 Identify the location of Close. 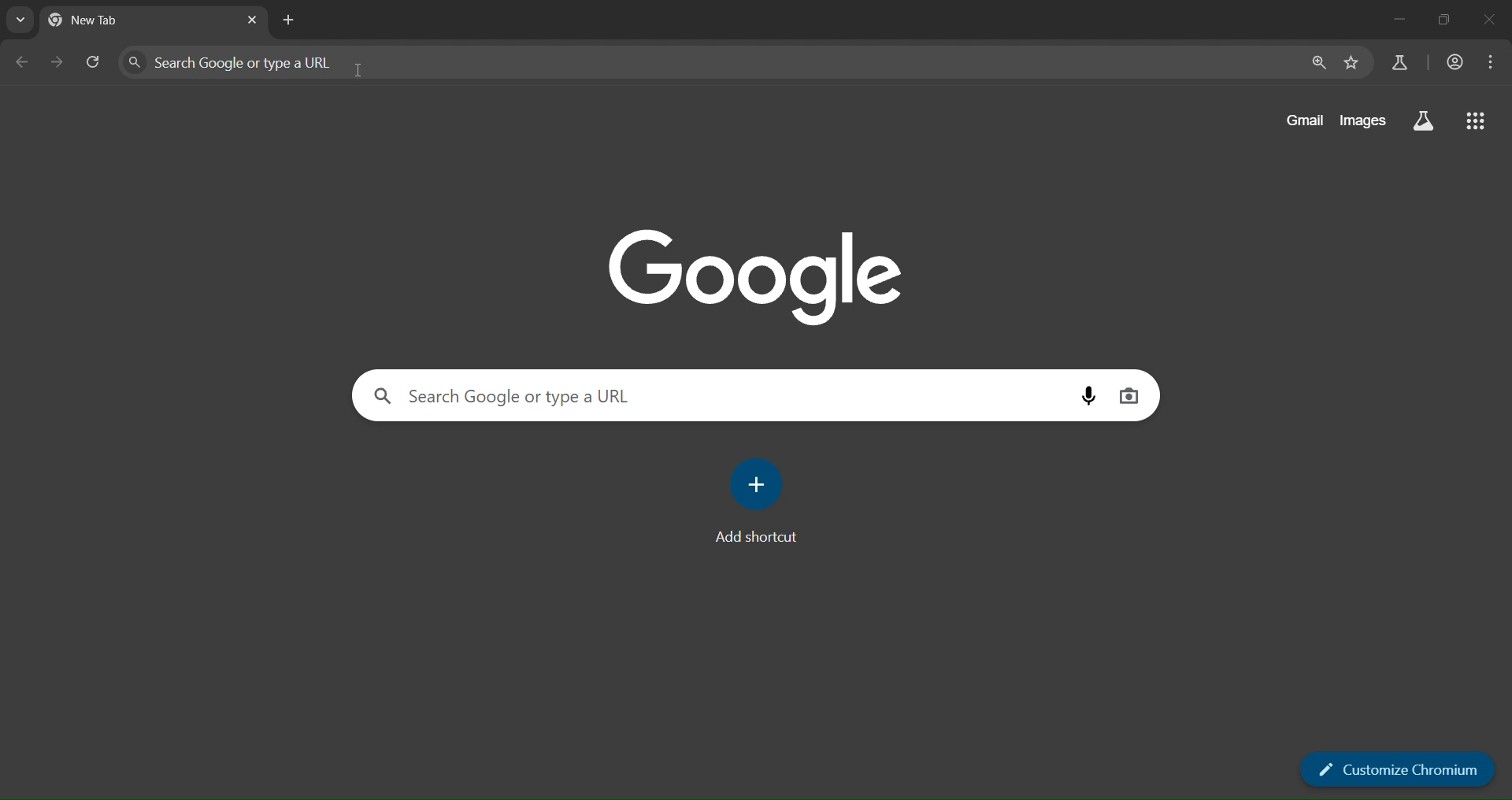
(1487, 18).